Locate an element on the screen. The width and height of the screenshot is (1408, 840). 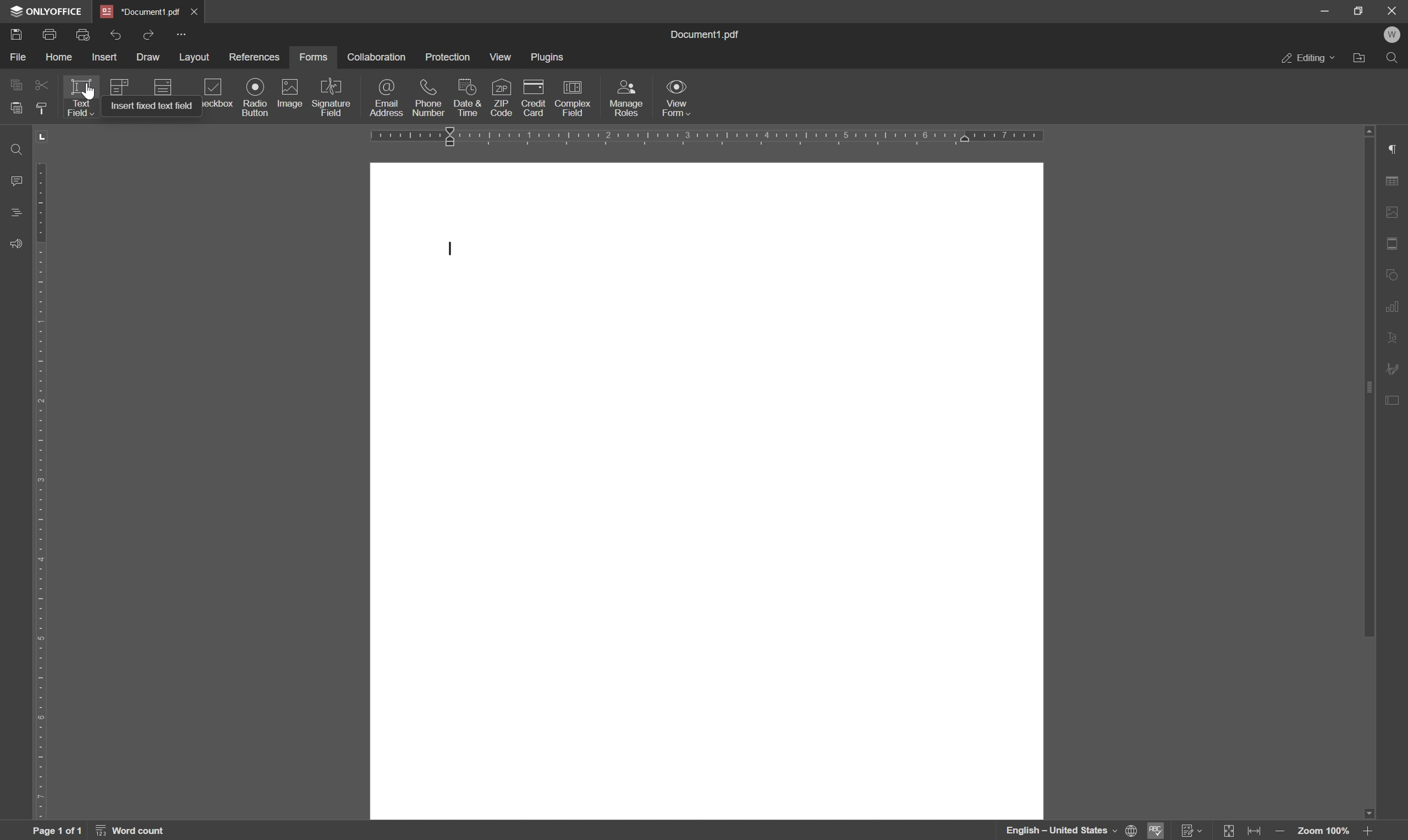
*Document1.pdf is located at coordinates (196, 11).